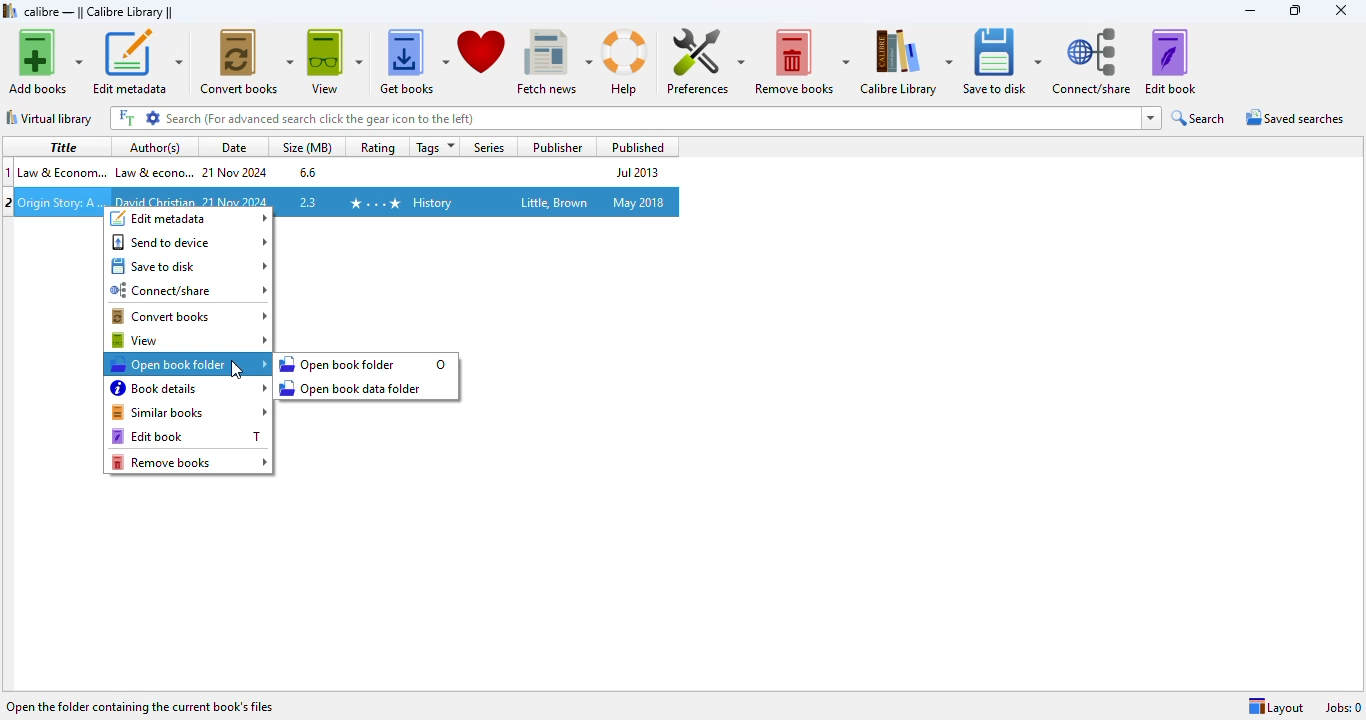  What do you see at coordinates (377, 147) in the screenshot?
I see `rating` at bounding box center [377, 147].